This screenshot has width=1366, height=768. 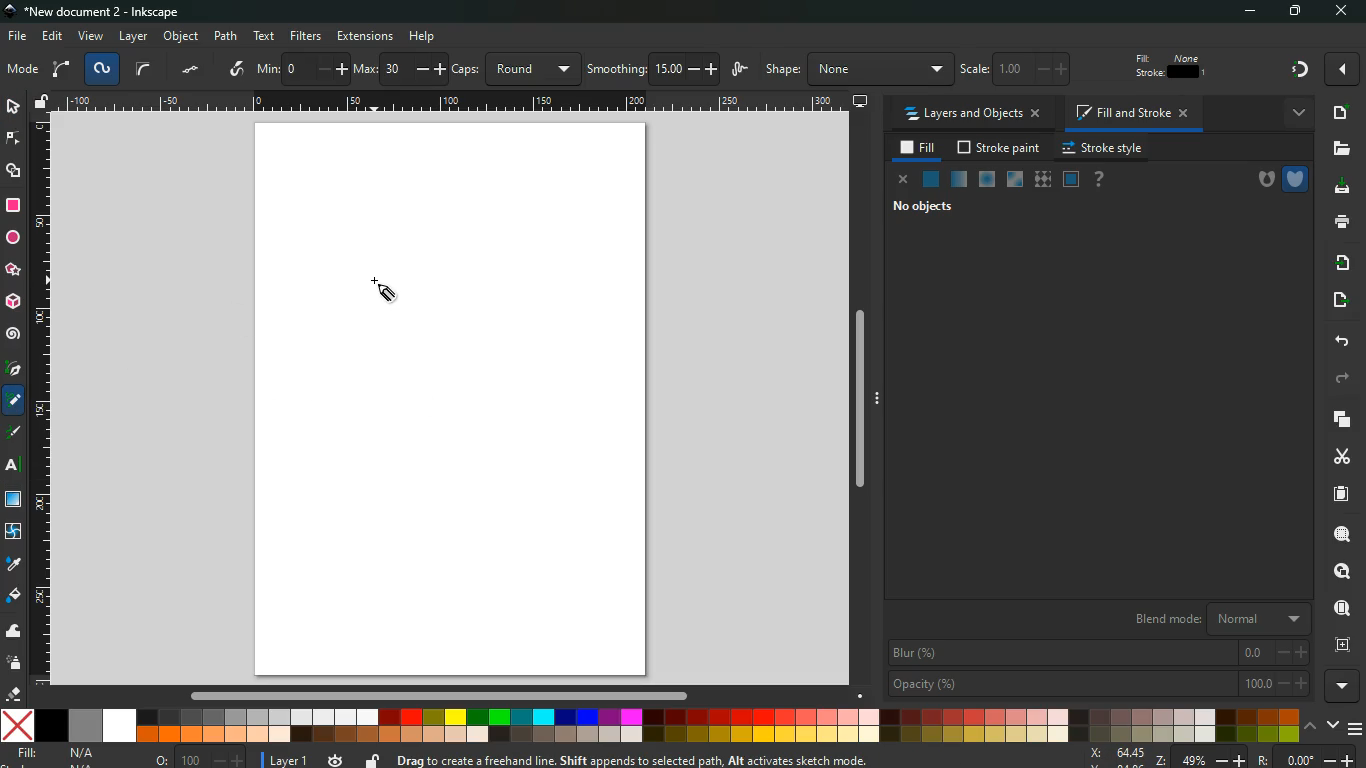 I want to click on shape, so click(x=855, y=70).